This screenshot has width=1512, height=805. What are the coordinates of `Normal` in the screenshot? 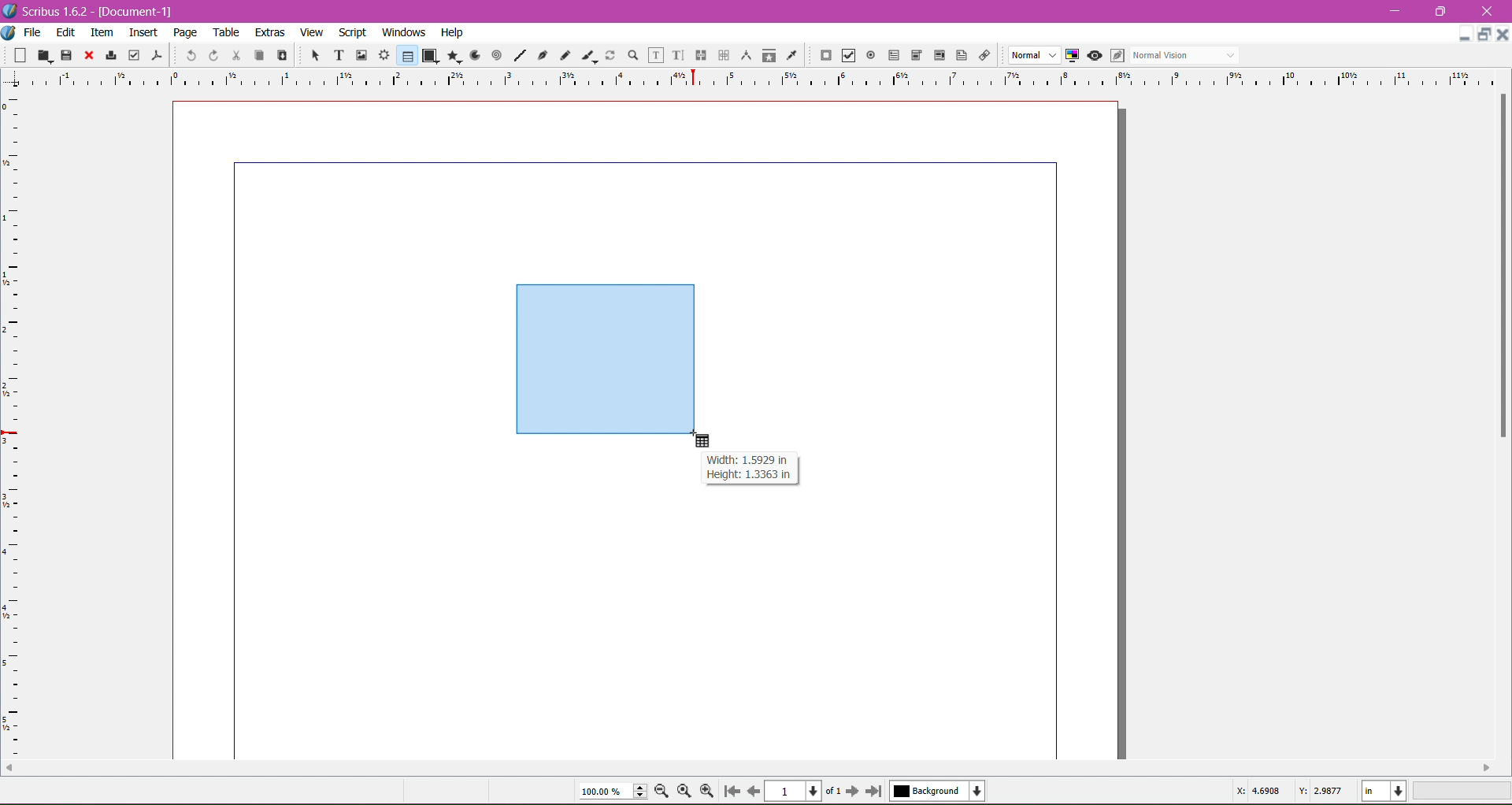 It's located at (1032, 56).